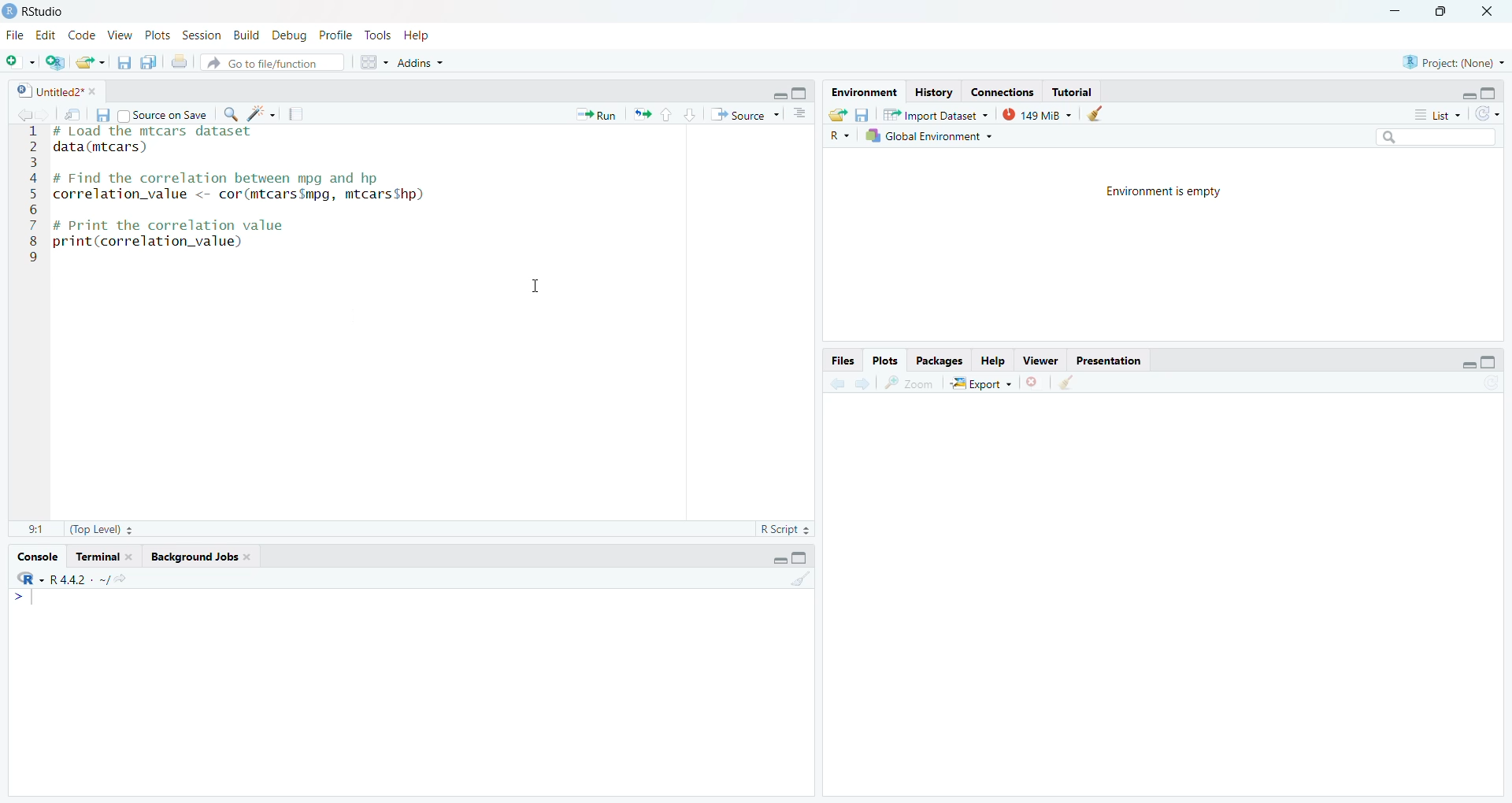  What do you see at coordinates (198, 556) in the screenshot?
I see `Background Jobs` at bounding box center [198, 556].